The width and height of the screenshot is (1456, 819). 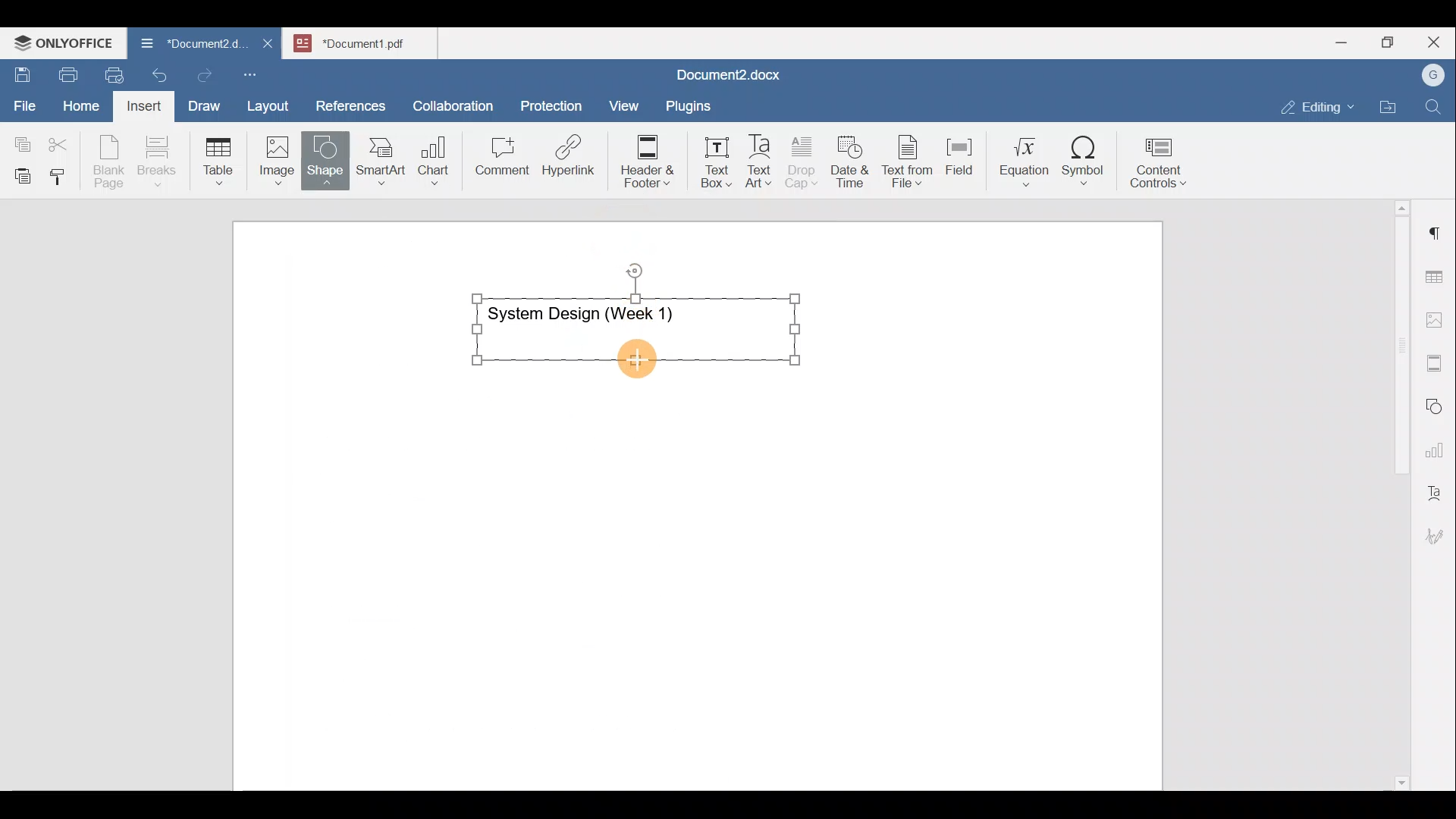 What do you see at coordinates (204, 76) in the screenshot?
I see `Redo` at bounding box center [204, 76].